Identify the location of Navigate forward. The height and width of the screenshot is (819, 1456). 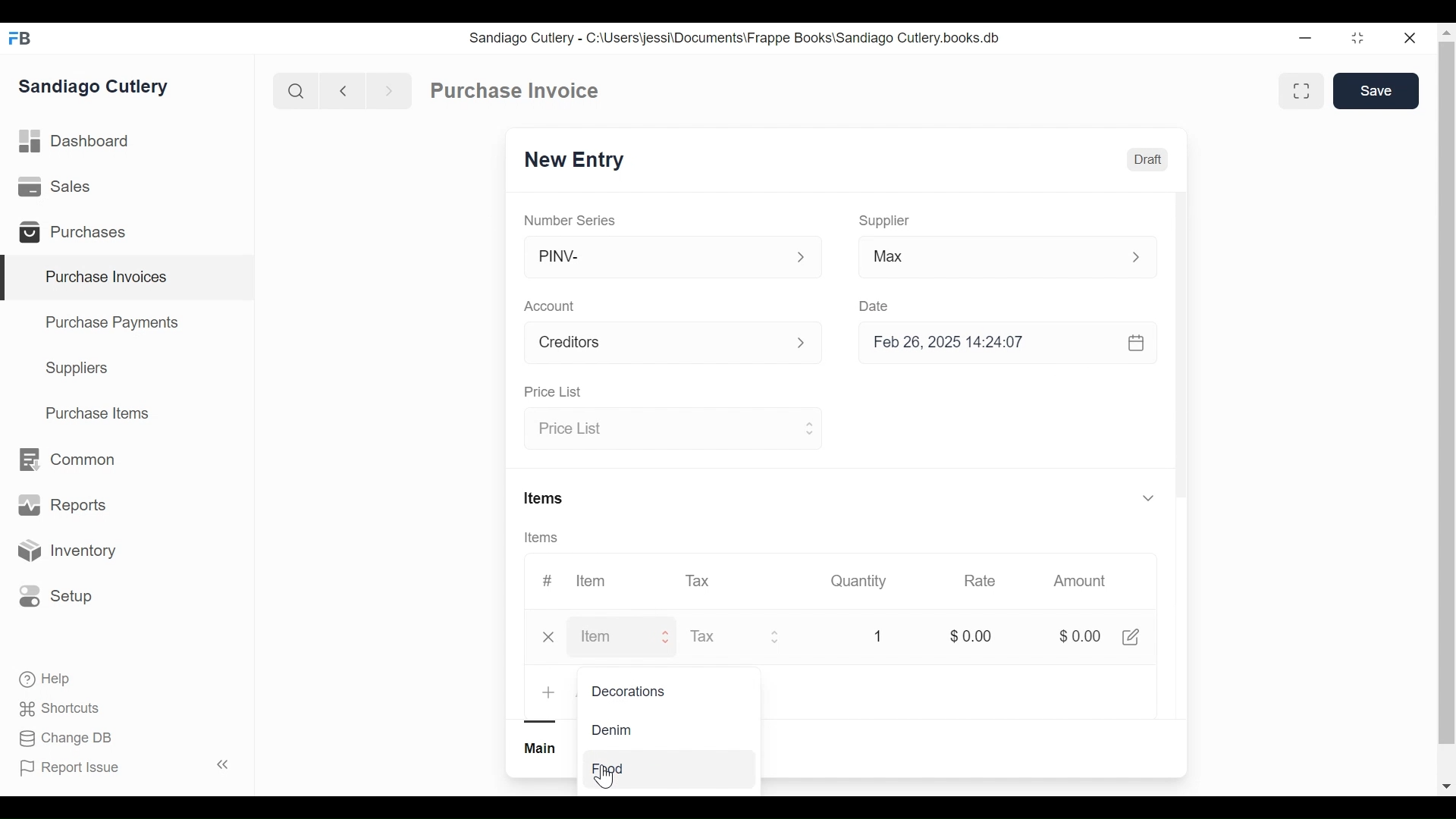
(388, 89).